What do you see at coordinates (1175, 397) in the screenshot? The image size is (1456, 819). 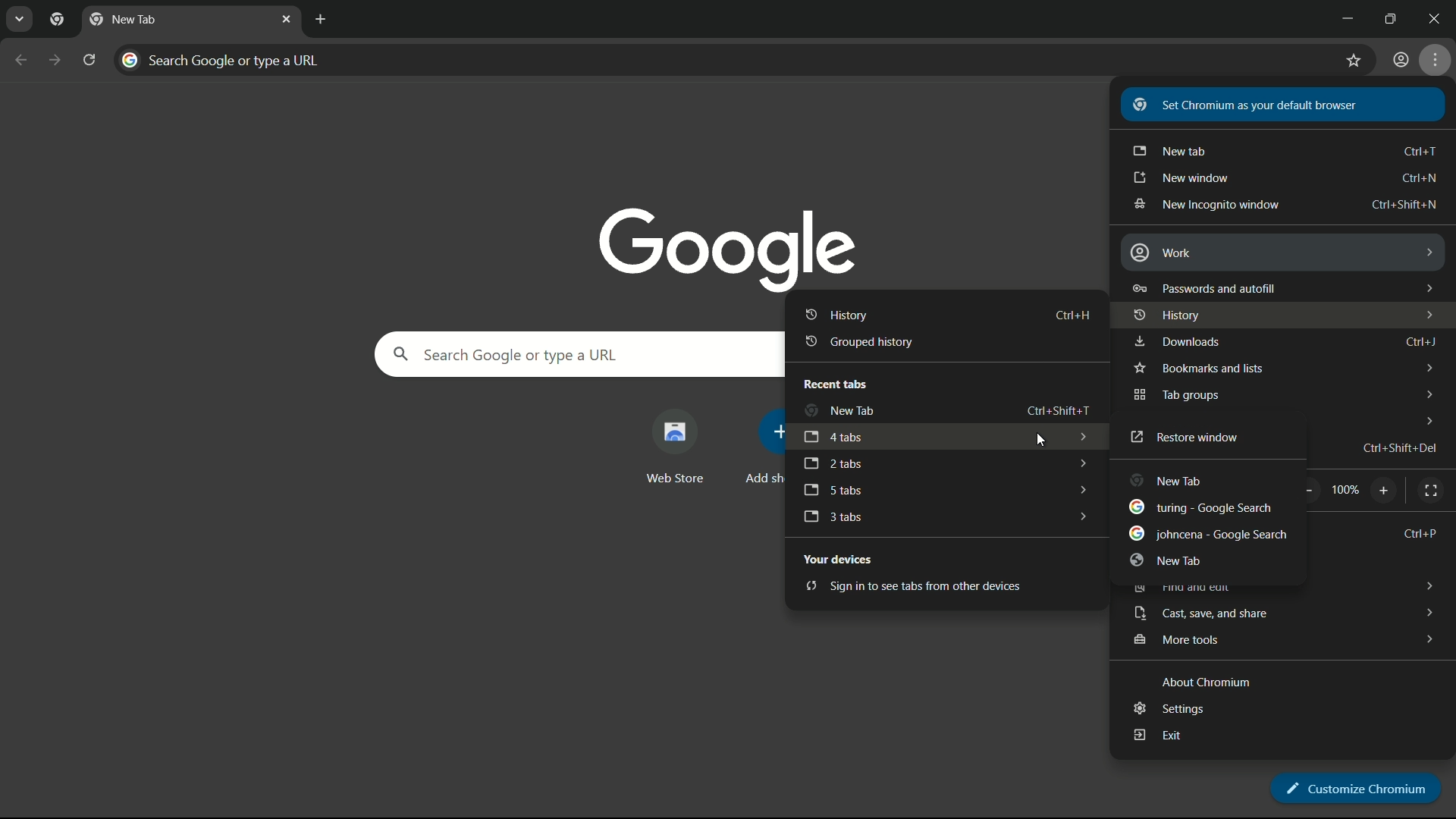 I see `tab groups` at bounding box center [1175, 397].